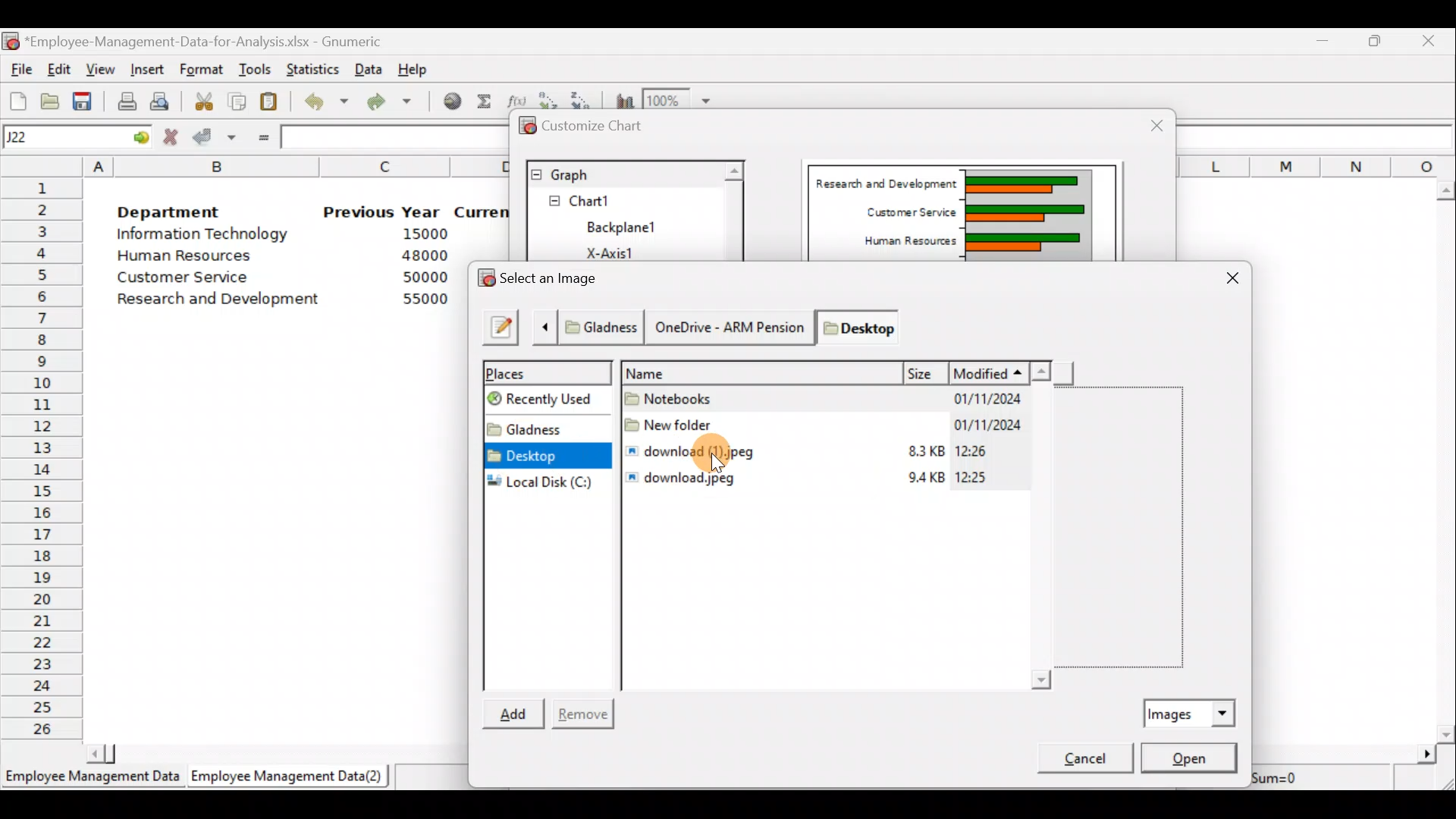 The height and width of the screenshot is (819, 1456). What do you see at coordinates (585, 711) in the screenshot?
I see `Remove` at bounding box center [585, 711].